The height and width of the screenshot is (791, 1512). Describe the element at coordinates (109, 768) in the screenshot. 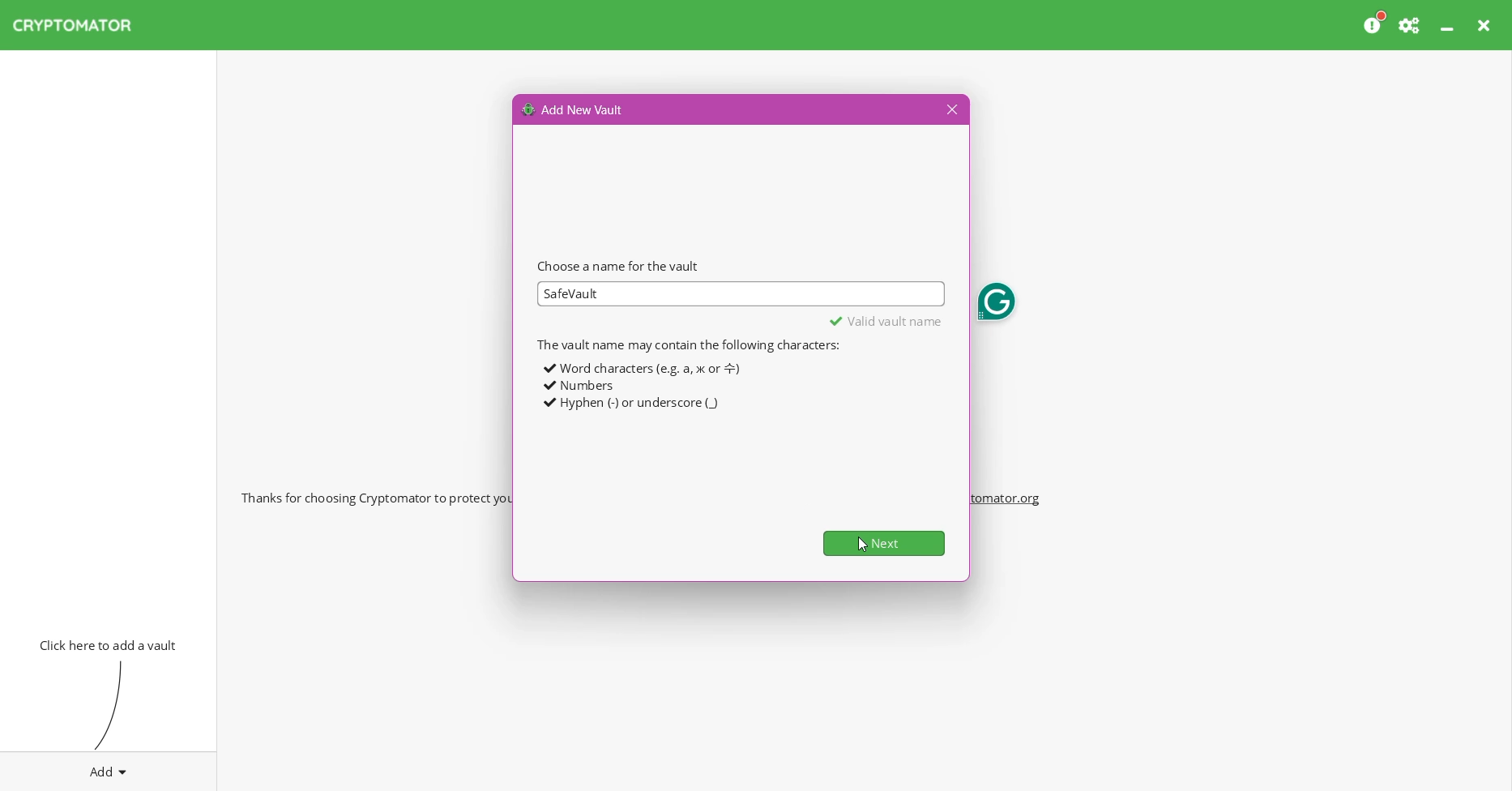

I see `Add` at that location.